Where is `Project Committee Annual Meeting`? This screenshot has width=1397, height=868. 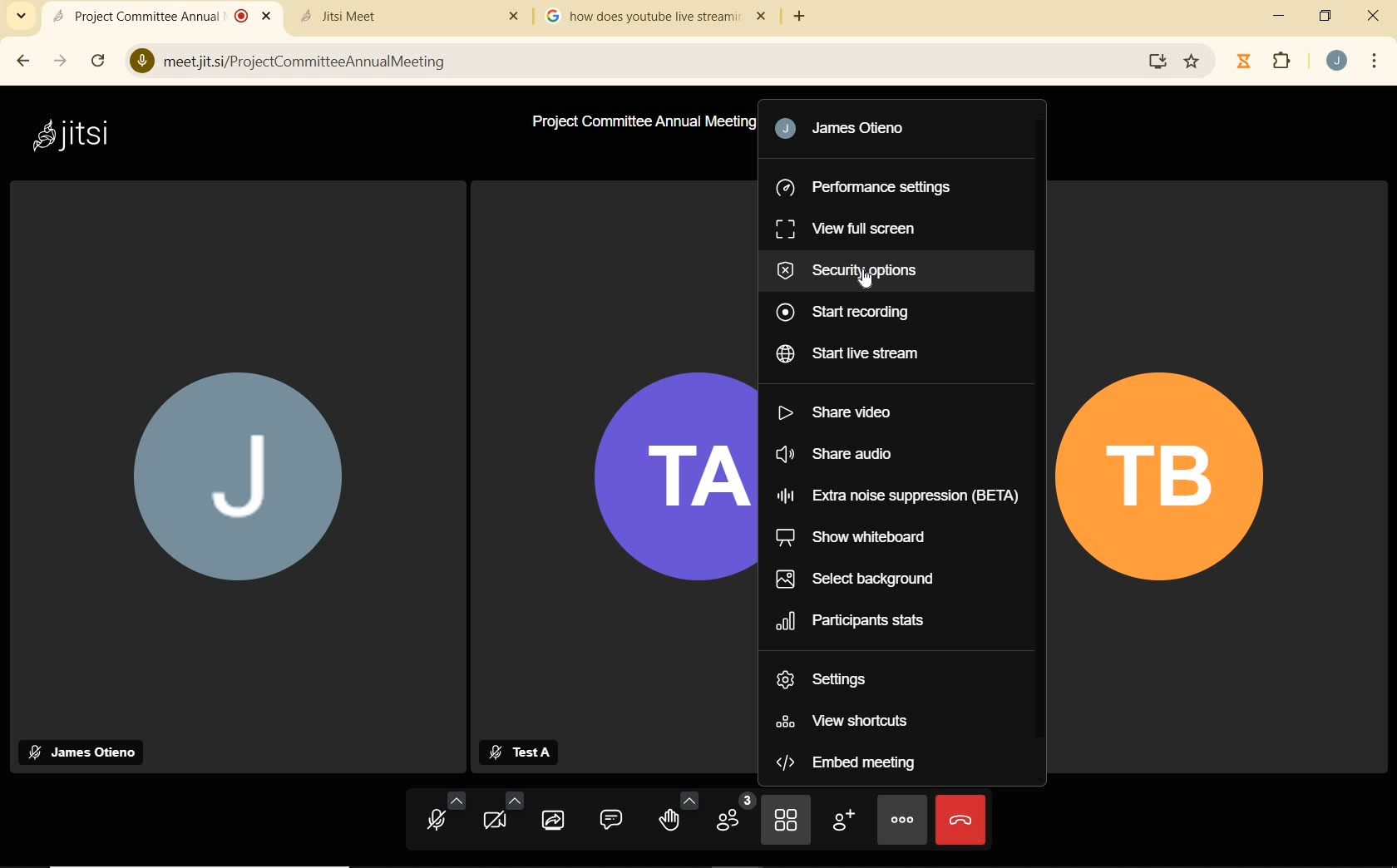
Project Committee Annual Meeting is located at coordinates (643, 123).